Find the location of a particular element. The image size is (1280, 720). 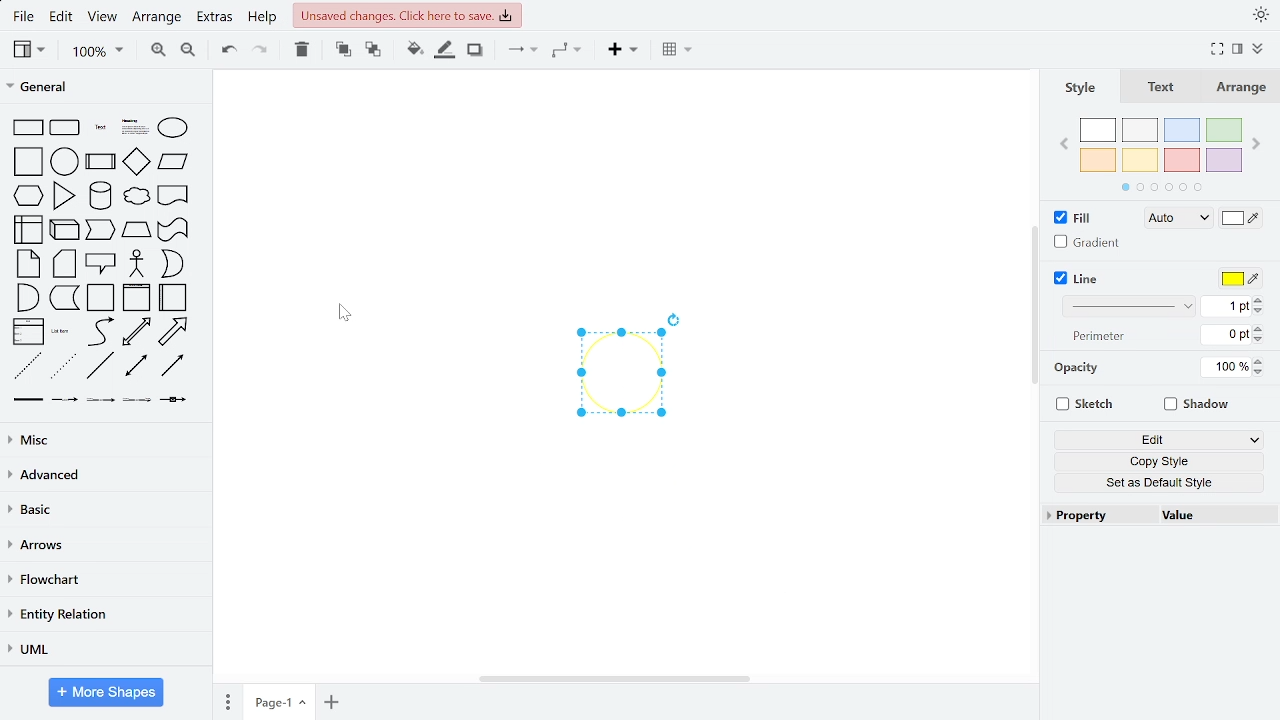

edit is located at coordinates (1161, 440).